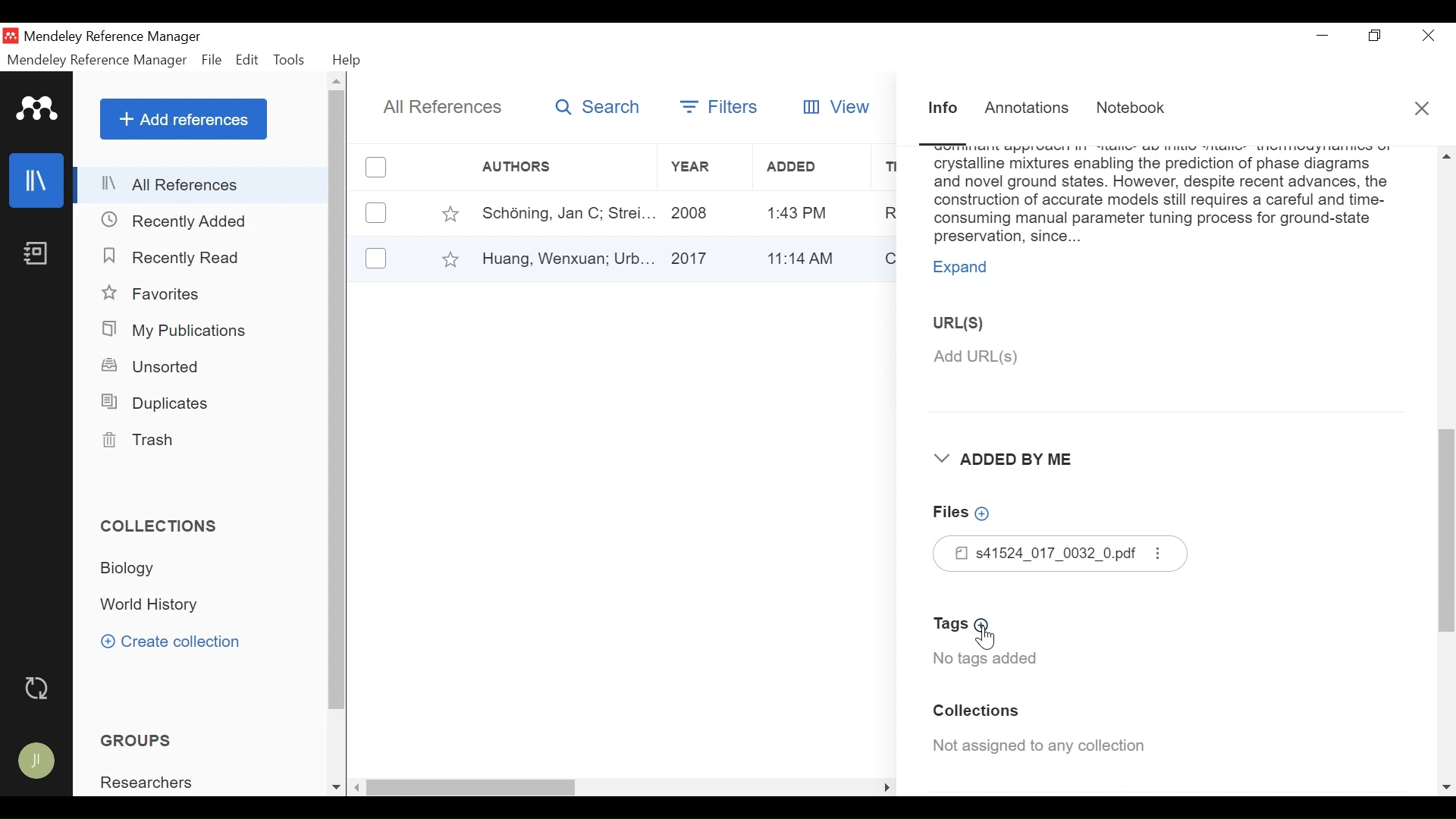 This screenshot has height=819, width=1456. What do you see at coordinates (10, 36) in the screenshot?
I see `Mendeley Desktop Icon` at bounding box center [10, 36].